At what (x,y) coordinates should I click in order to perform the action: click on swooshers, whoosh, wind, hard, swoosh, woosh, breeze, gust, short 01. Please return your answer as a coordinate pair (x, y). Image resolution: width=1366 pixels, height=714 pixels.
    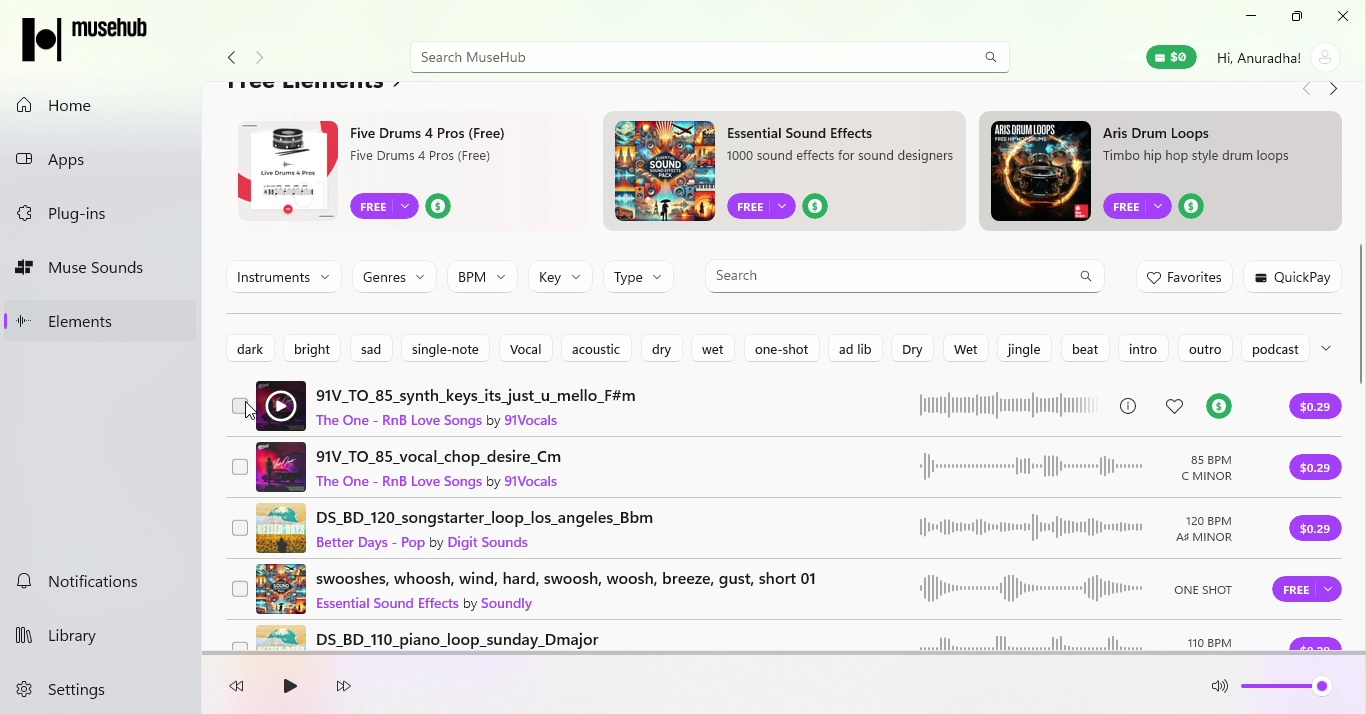
    Looking at the image, I should click on (752, 588).